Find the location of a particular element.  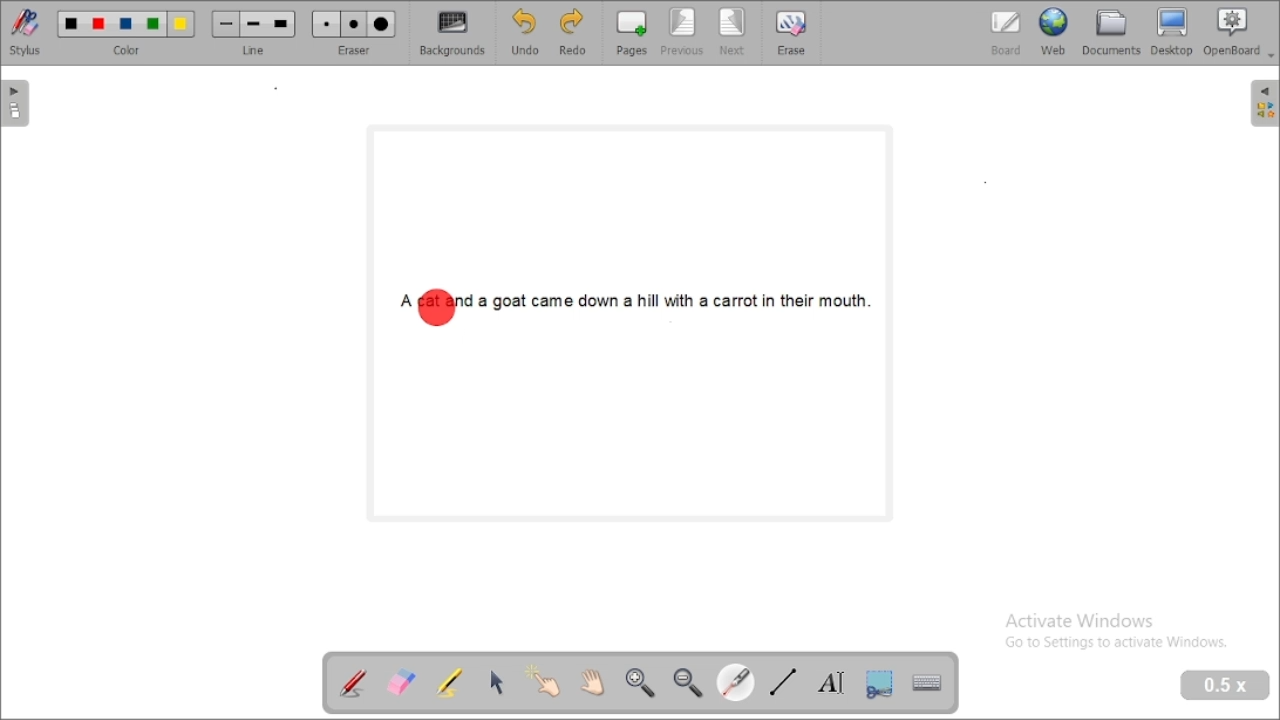

Dropdown is located at coordinates (1272, 56).